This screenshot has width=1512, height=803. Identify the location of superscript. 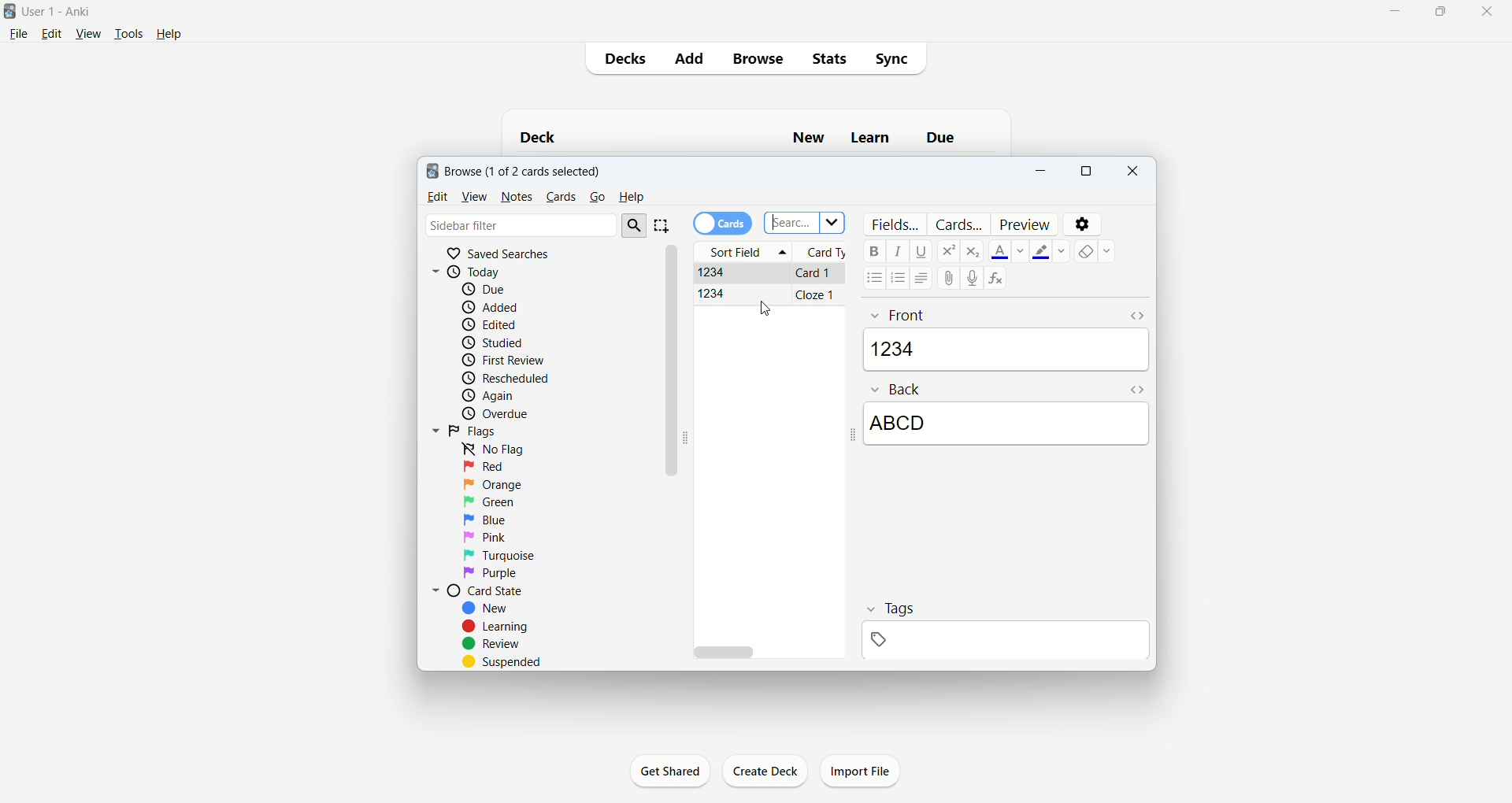
(948, 251).